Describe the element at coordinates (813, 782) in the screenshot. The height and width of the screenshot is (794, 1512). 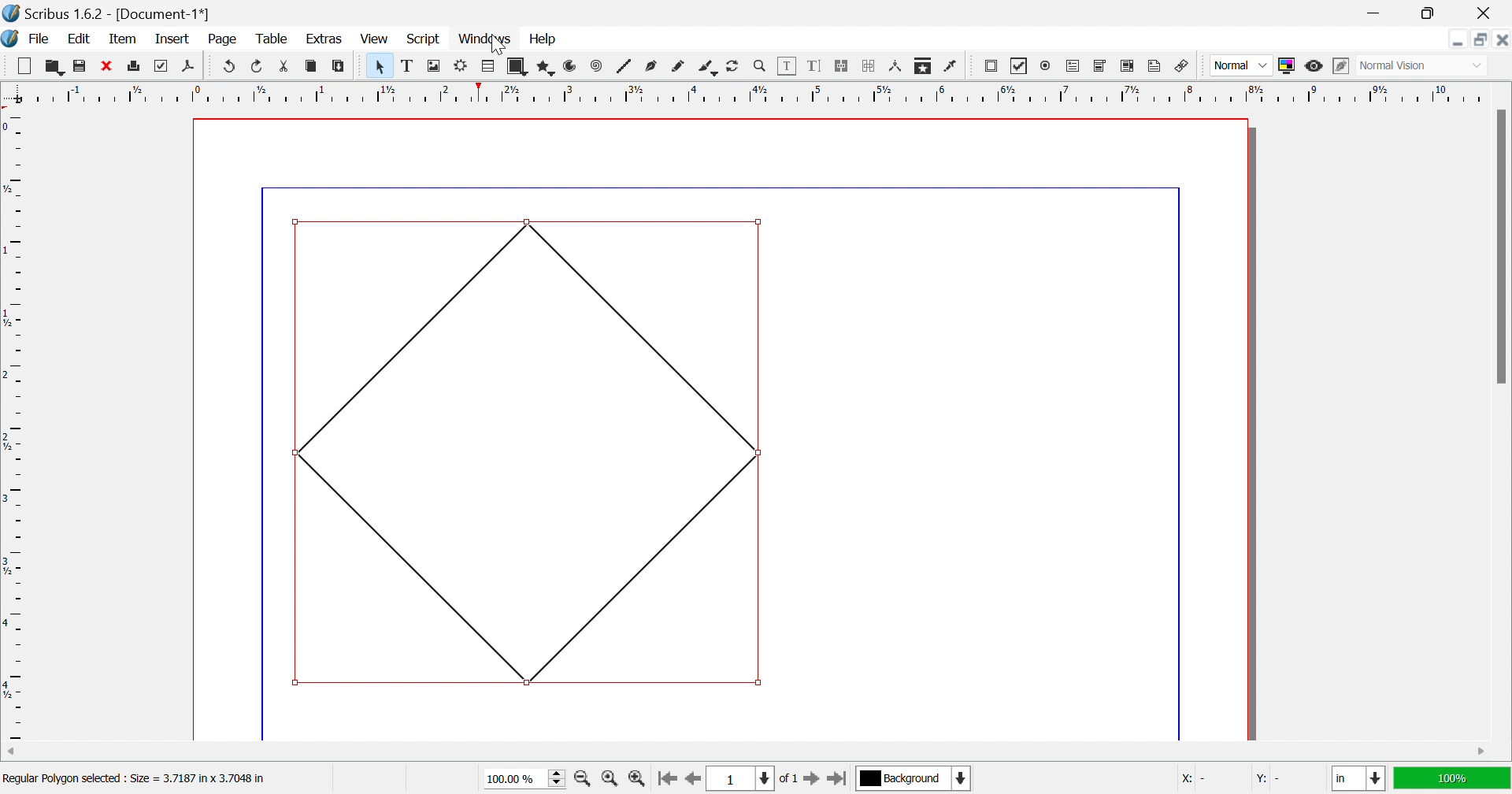
I see `Go to the next page` at that location.